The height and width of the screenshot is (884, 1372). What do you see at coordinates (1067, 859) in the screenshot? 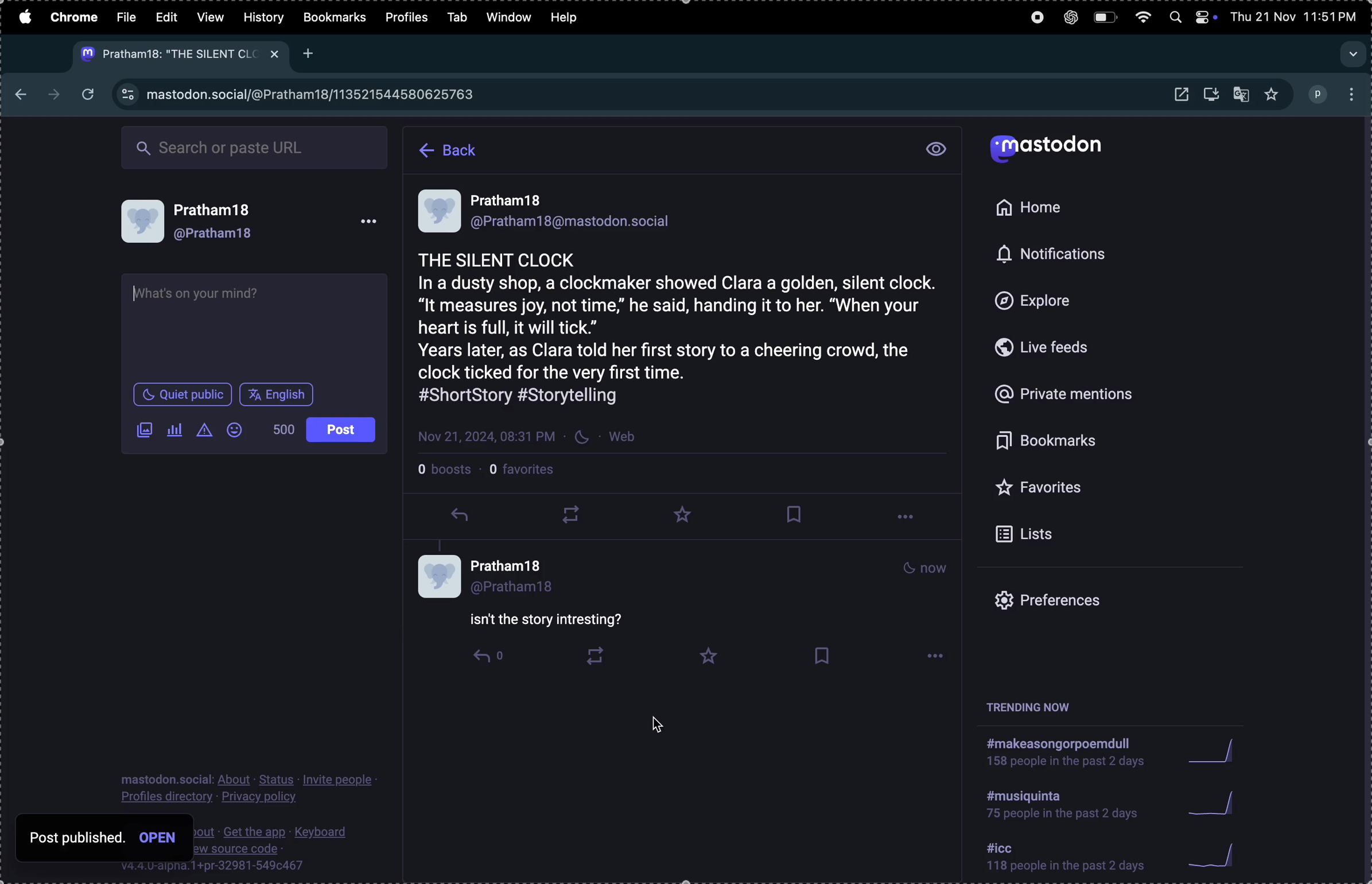
I see `icc` at bounding box center [1067, 859].